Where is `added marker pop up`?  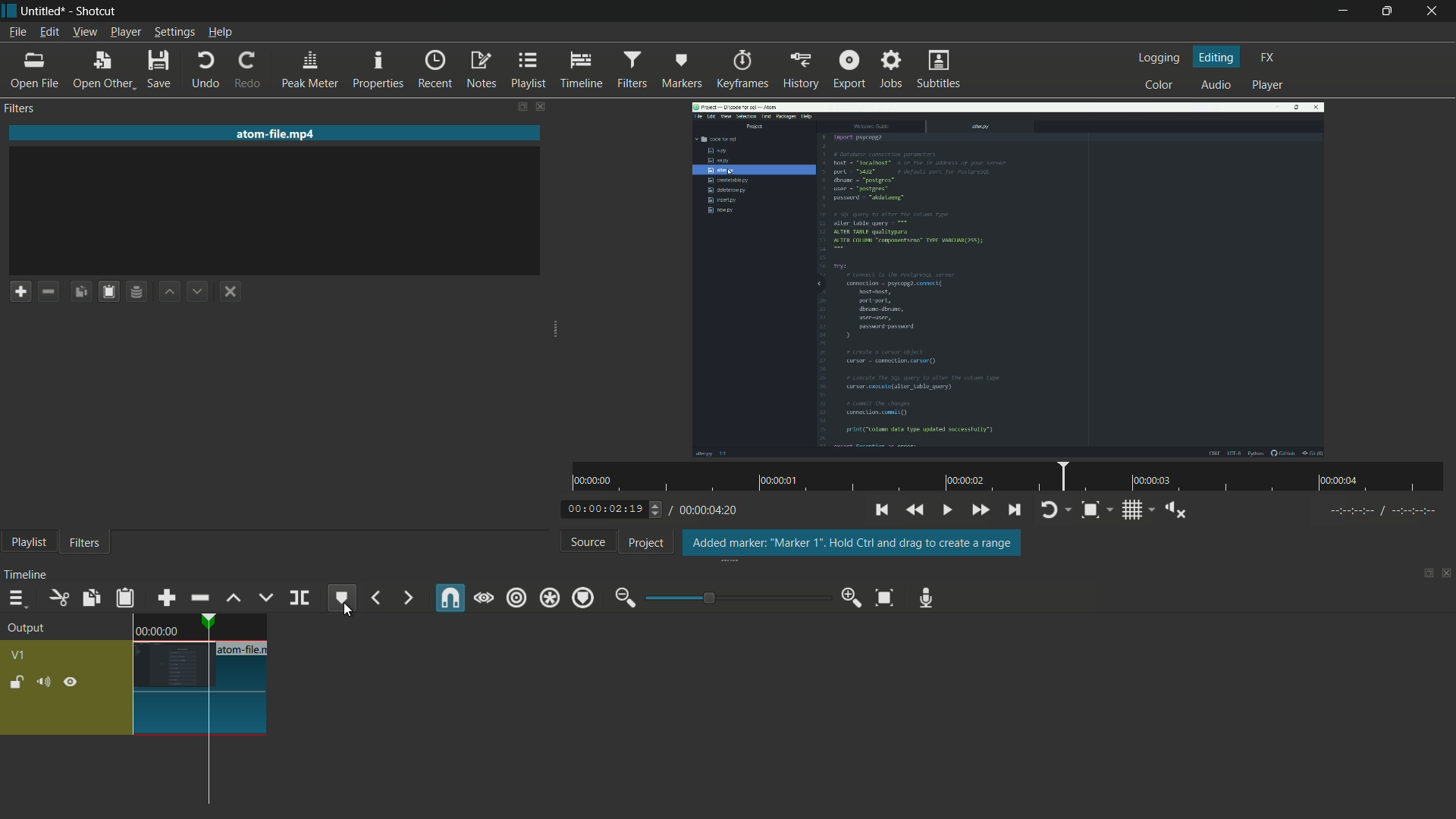 added marker pop up is located at coordinates (851, 543).